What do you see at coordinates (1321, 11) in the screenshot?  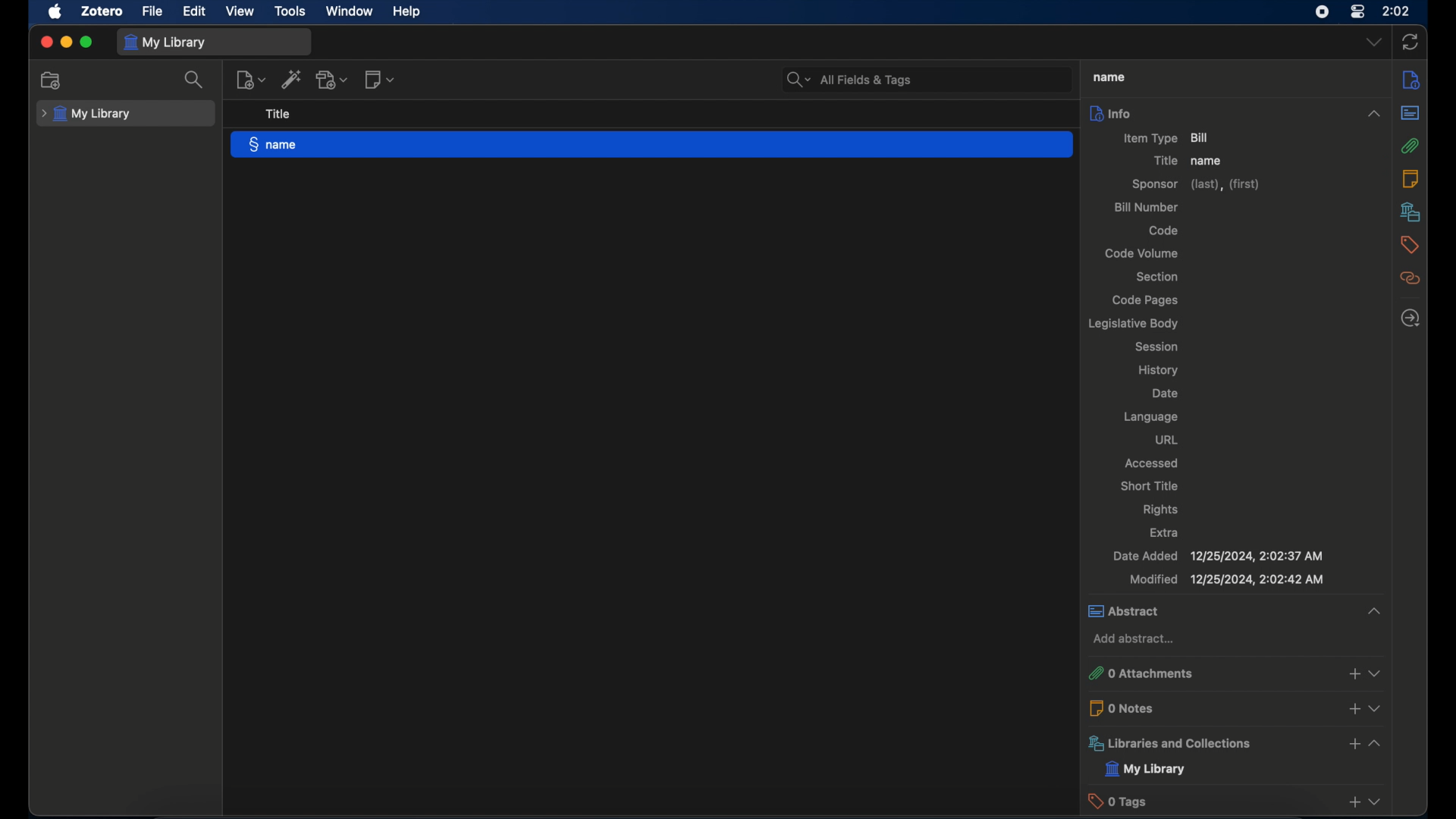 I see `screen recorder` at bounding box center [1321, 11].